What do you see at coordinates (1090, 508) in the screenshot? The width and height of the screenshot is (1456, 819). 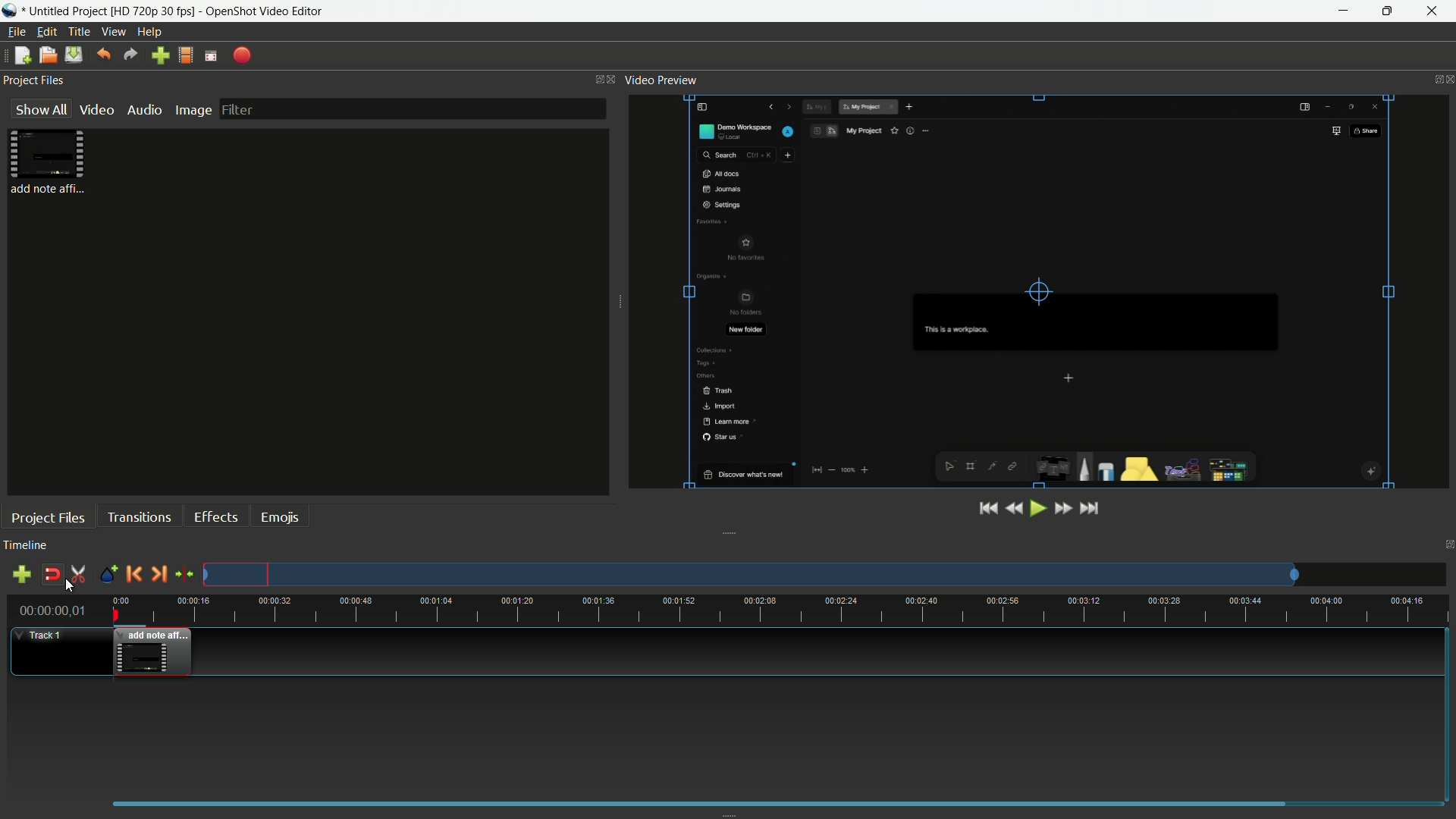 I see `jump to end` at bounding box center [1090, 508].